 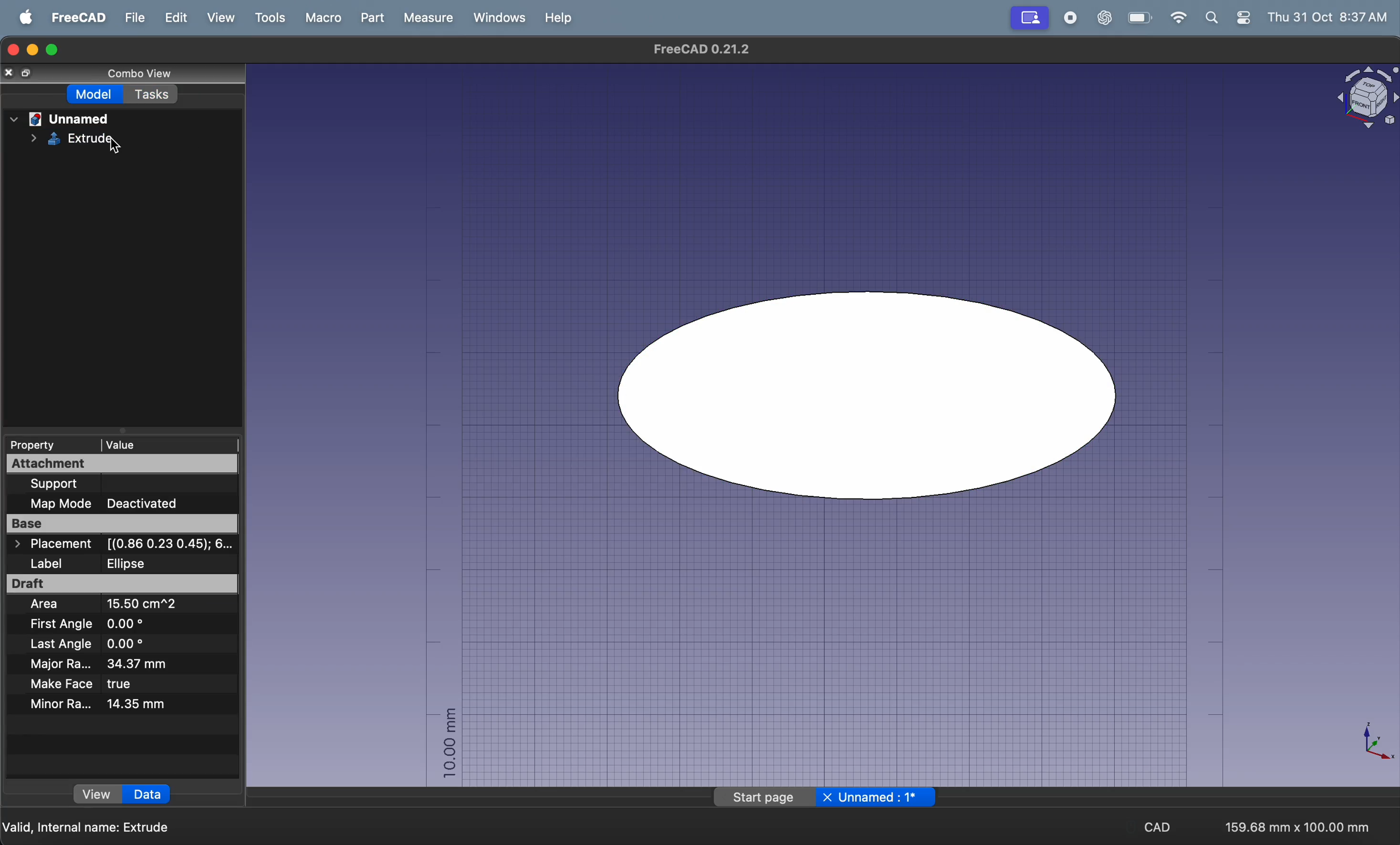 I want to click on 159.68mm * 100.mm, so click(x=1294, y=823).